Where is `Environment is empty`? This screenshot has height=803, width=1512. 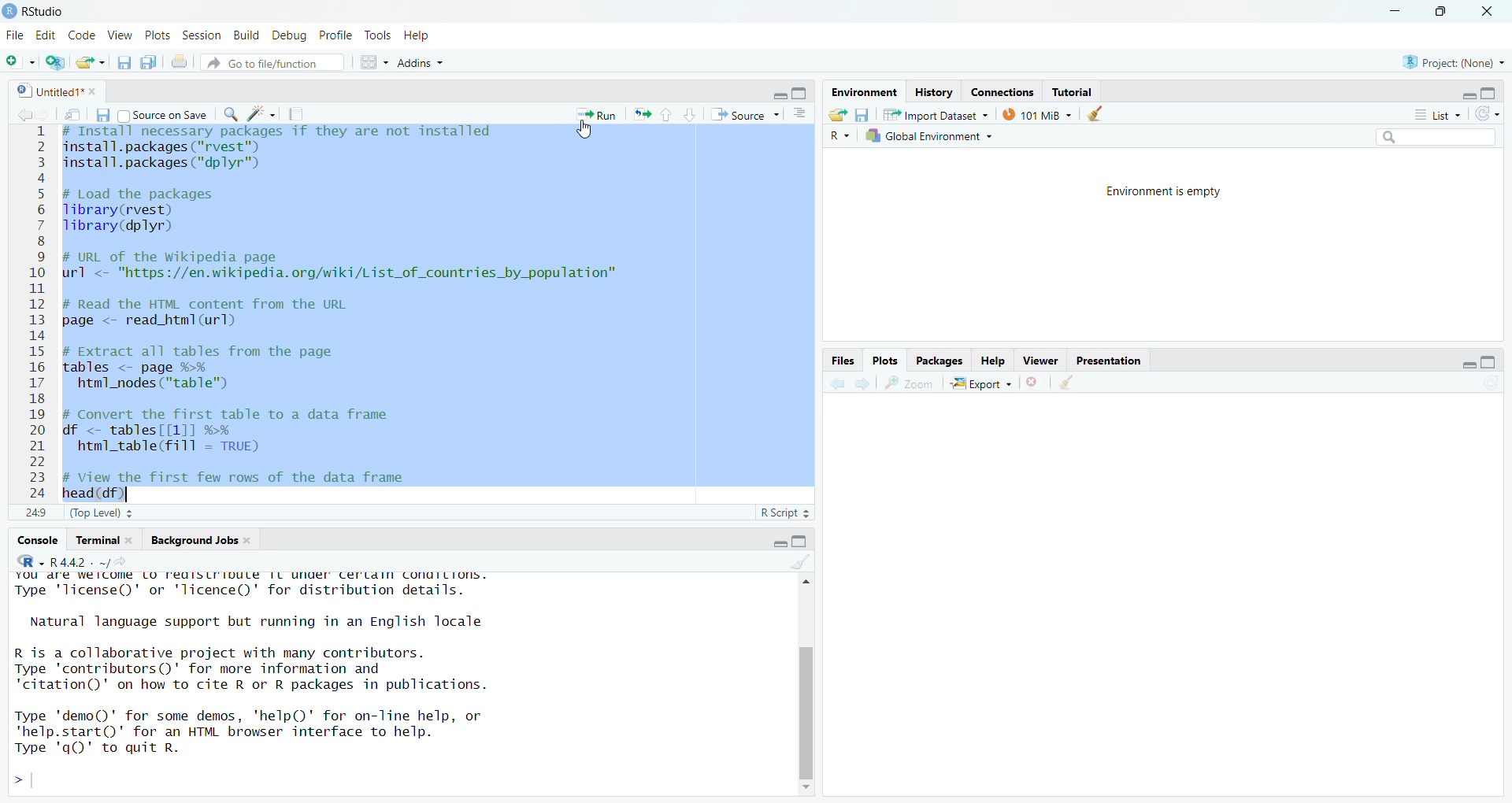
Environment is empty is located at coordinates (1163, 191).